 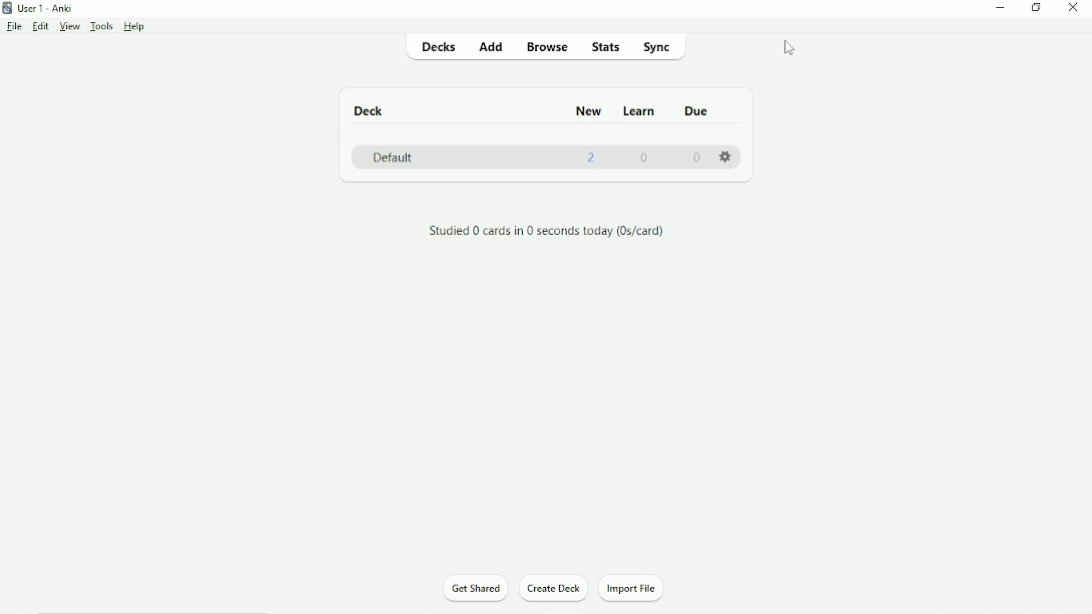 What do you see at coordinates (548, 46) in the screenshot?
I see `Browse` at bounding box center [548, 46].